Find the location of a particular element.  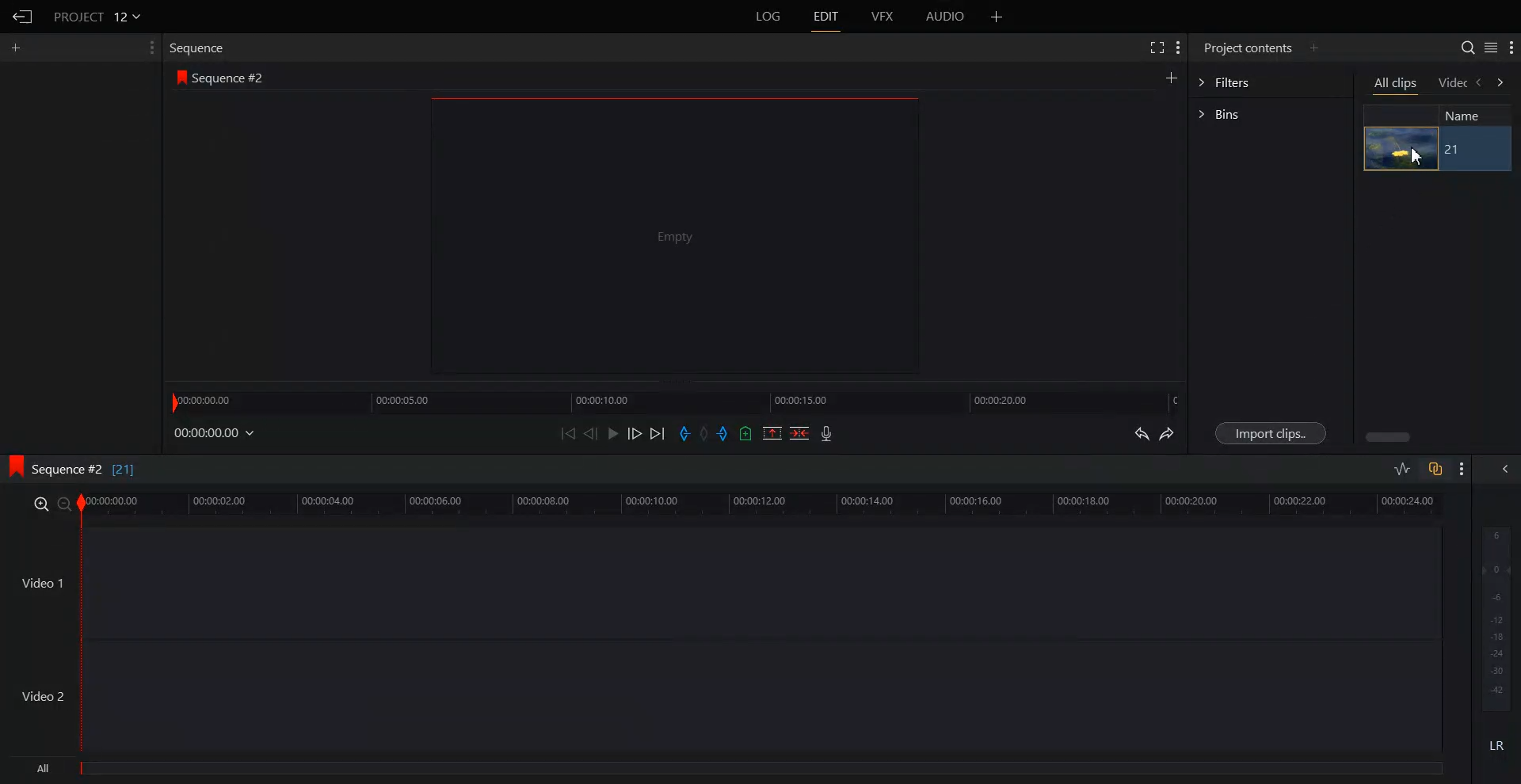

Sequence 2 is located at coordinates (229, 78).